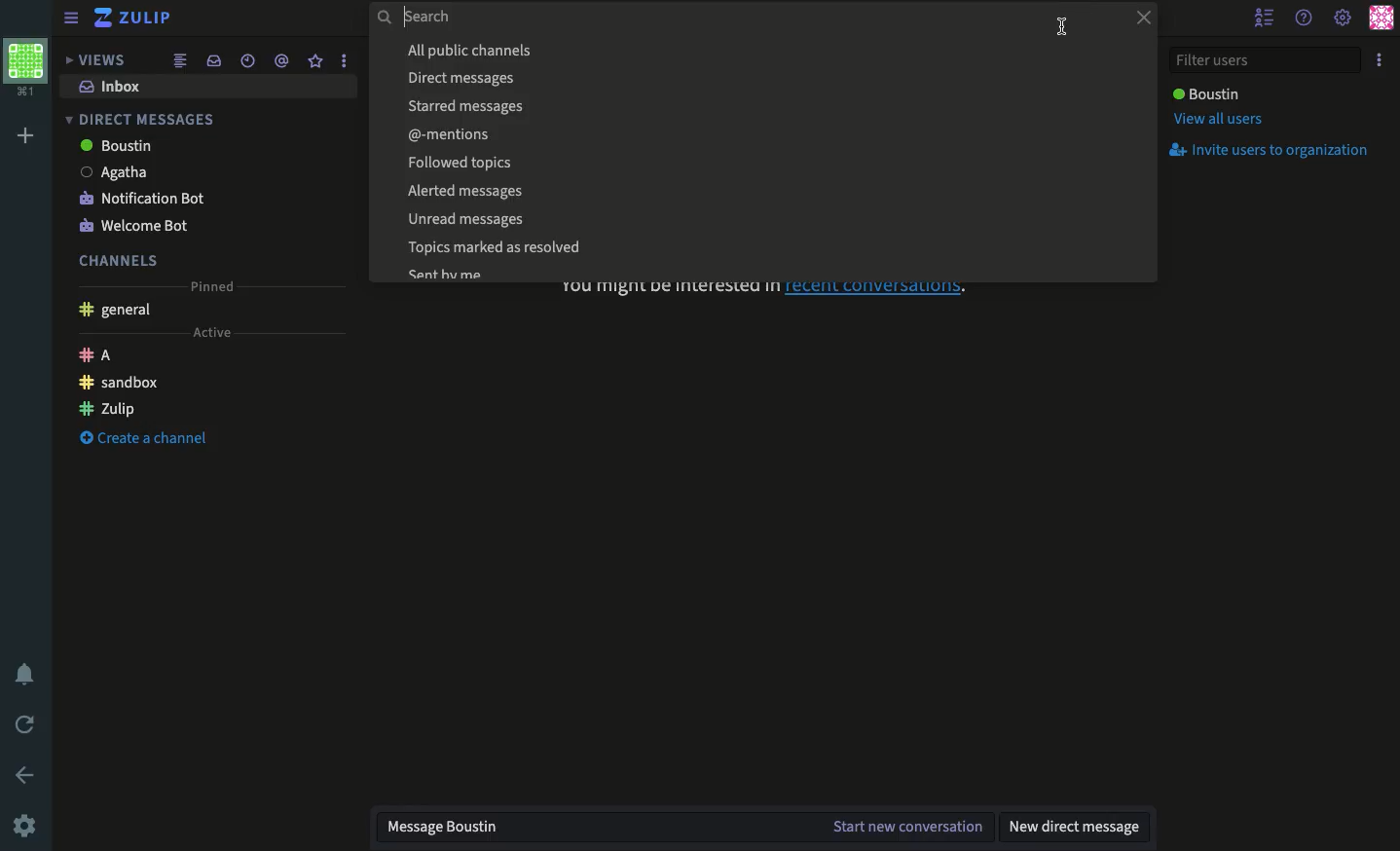 The image size is (1400, 851). What do you see at coordinates (1305, 18) in the screenshot?
I see `Help` at bounding box center [1305, 18].